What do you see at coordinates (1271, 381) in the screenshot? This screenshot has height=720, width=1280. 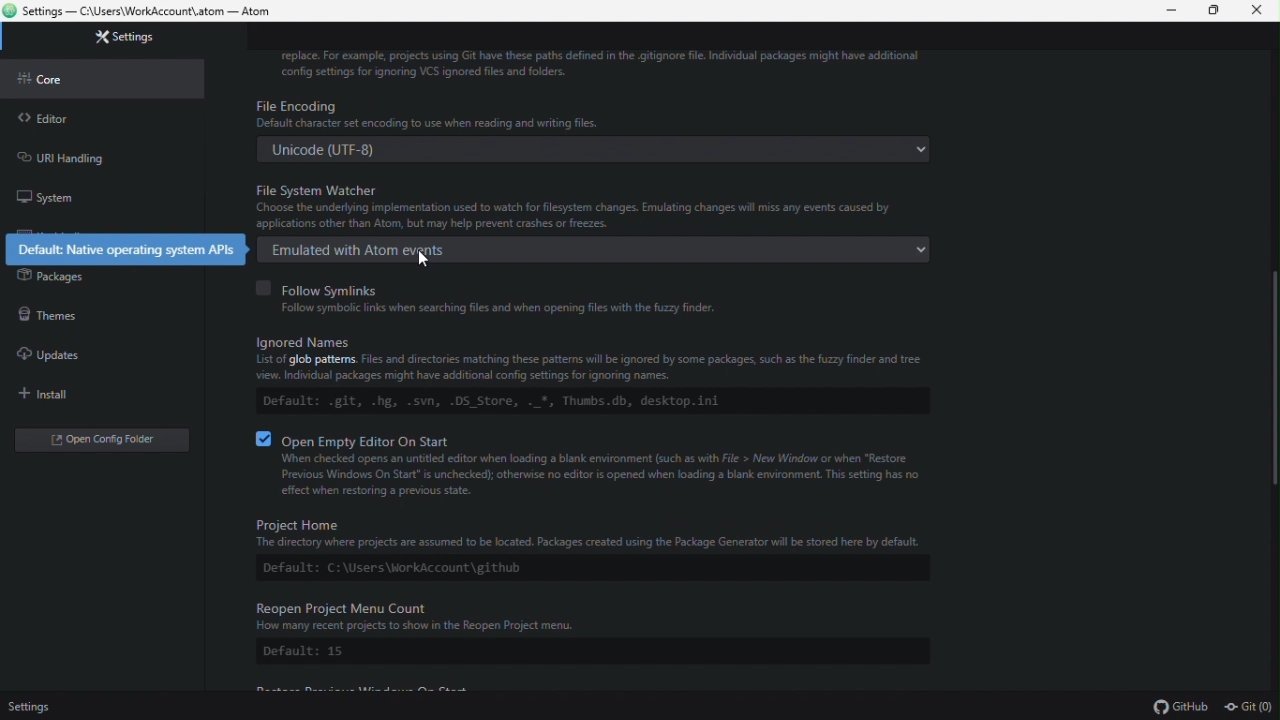 I see `Scroll bar` at bounding box center [1271, 381].